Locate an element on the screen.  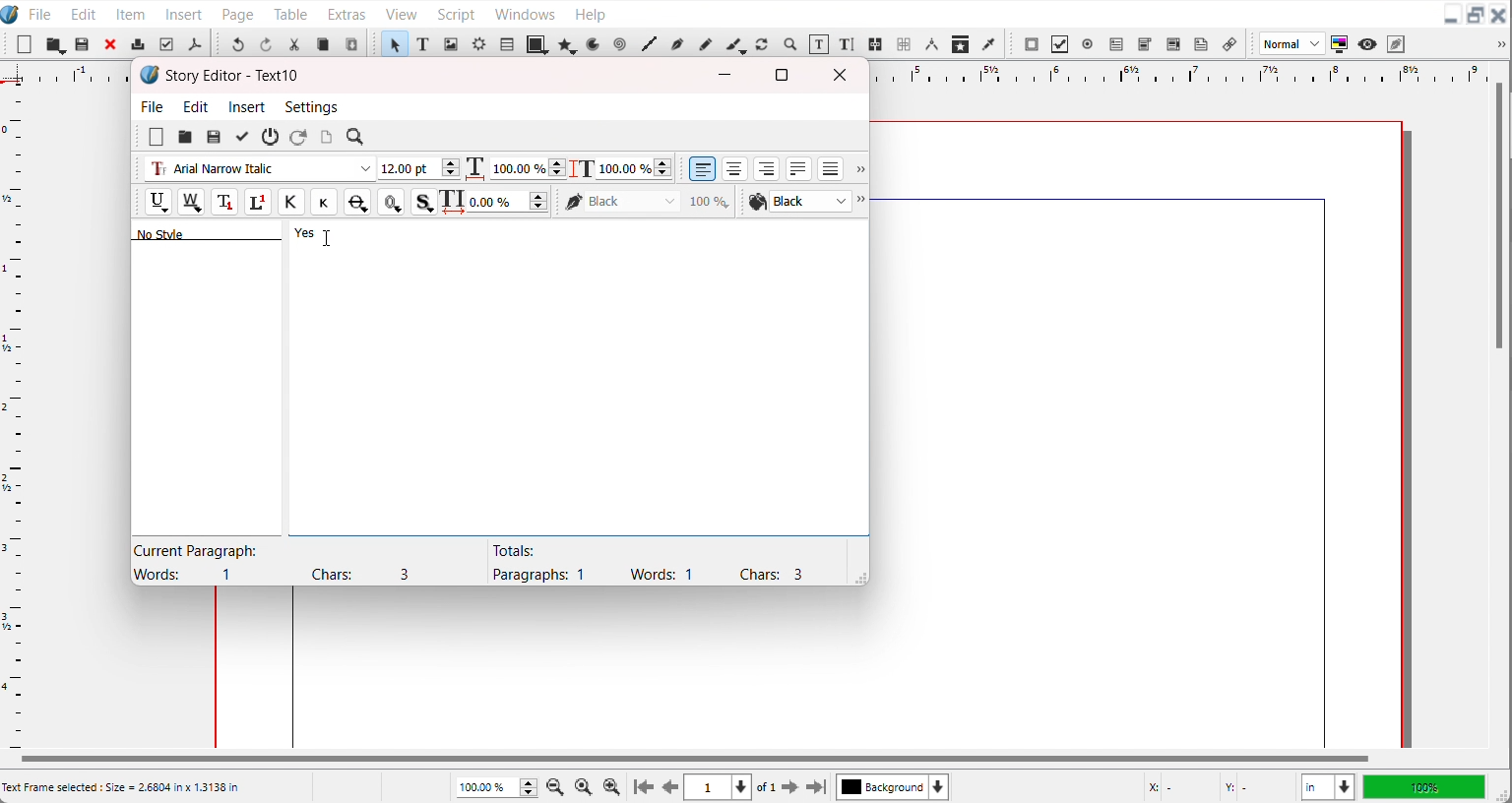
Select current layer is located at coordinates (893, 786).